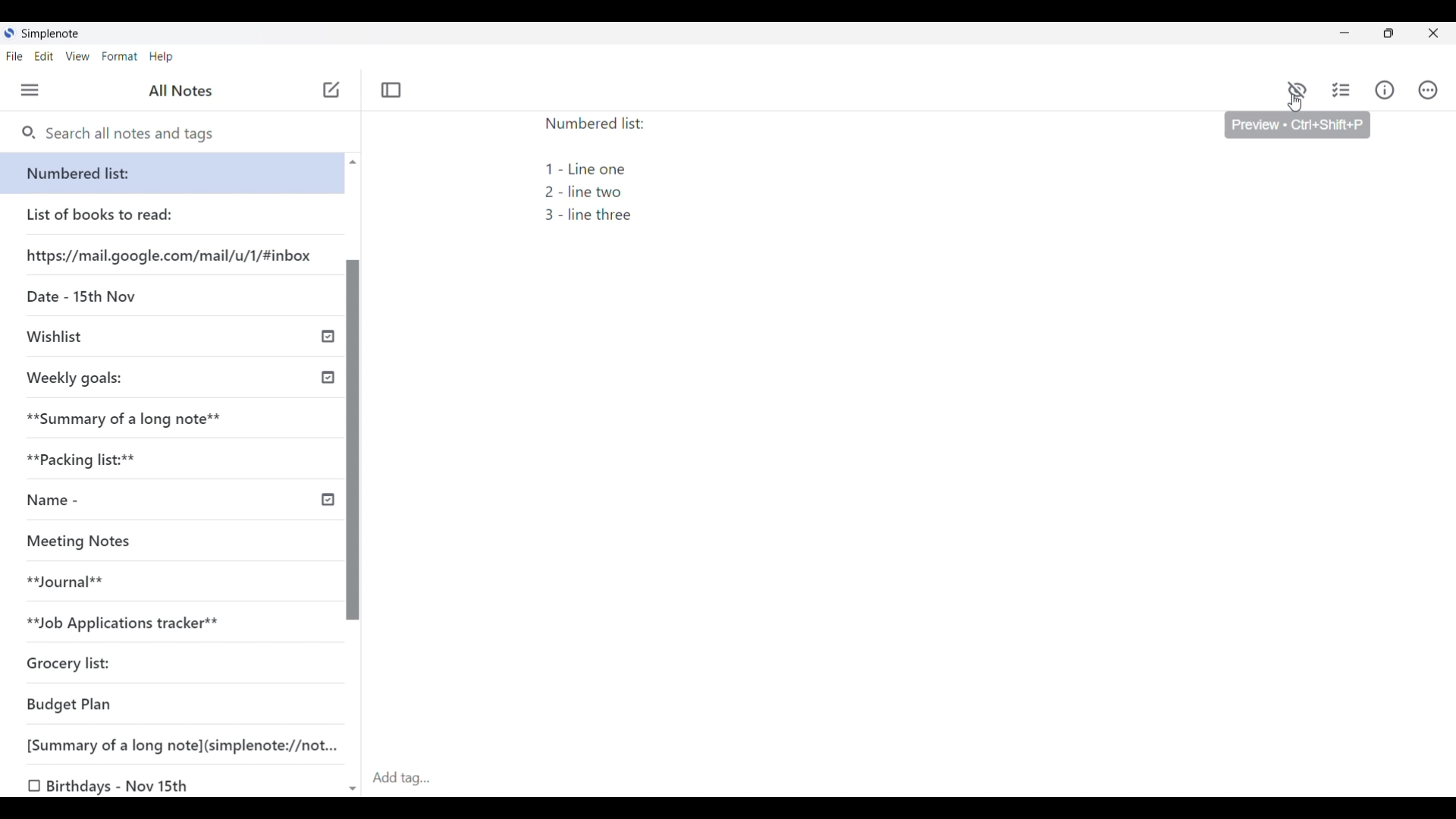 Image resolution: width=1456 pixels, height=819 pixels. I want to click on Add note, so click(331, 89).